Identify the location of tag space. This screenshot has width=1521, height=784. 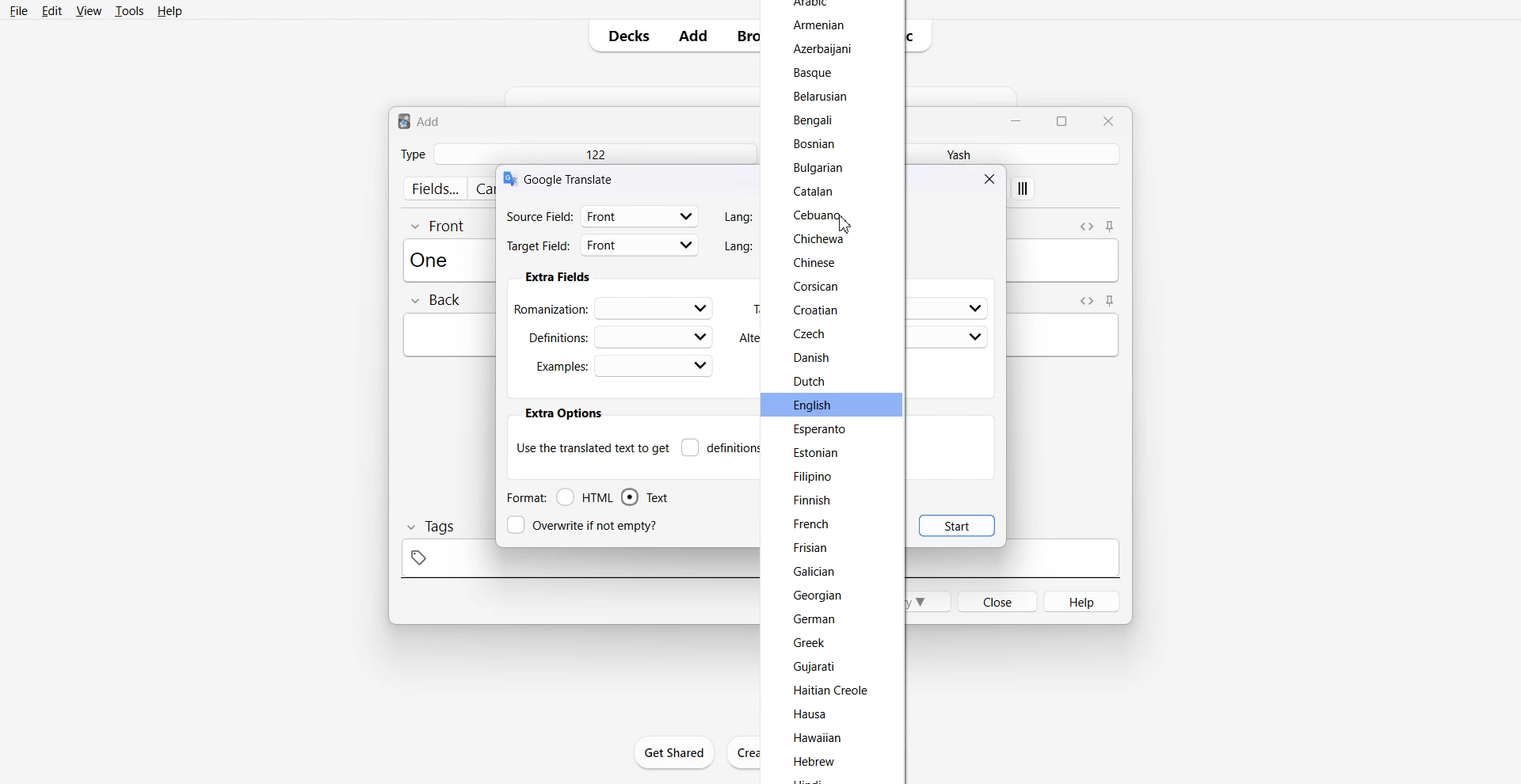
(575, 563).